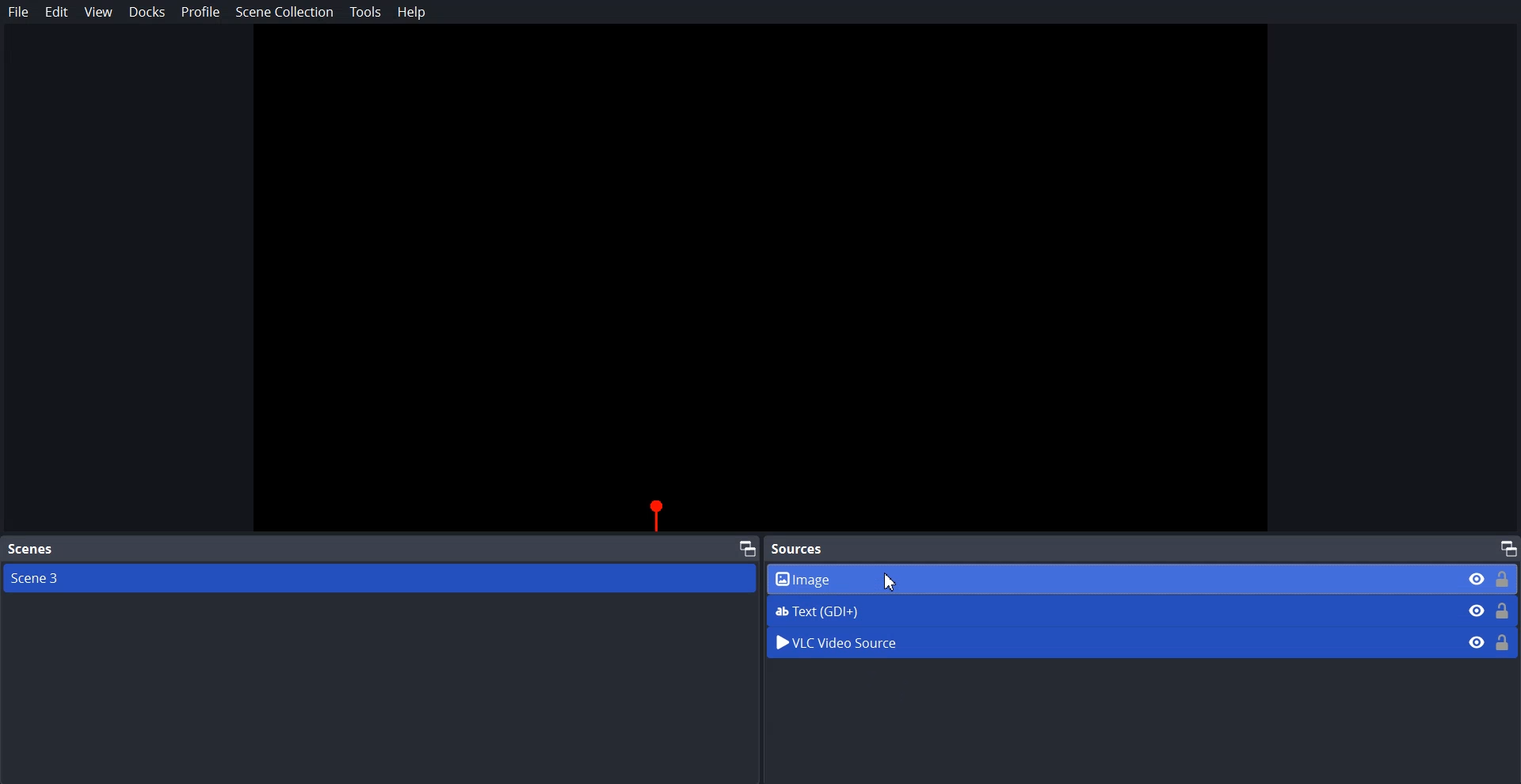 The image size is (1521, 784). I want to click on Docks, so click(147, 12).